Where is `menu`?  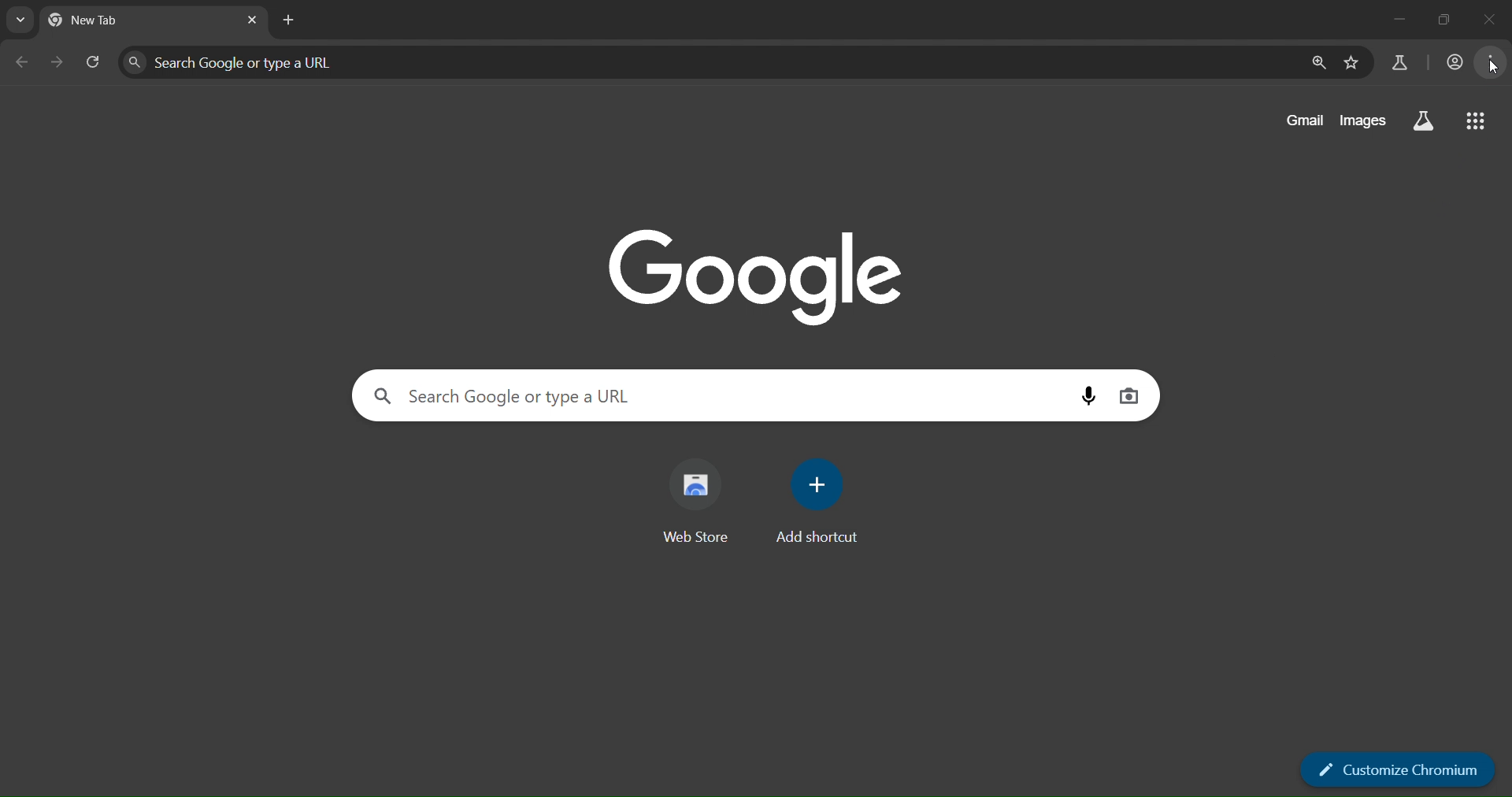 menu is located at coordinates (1494, 63).